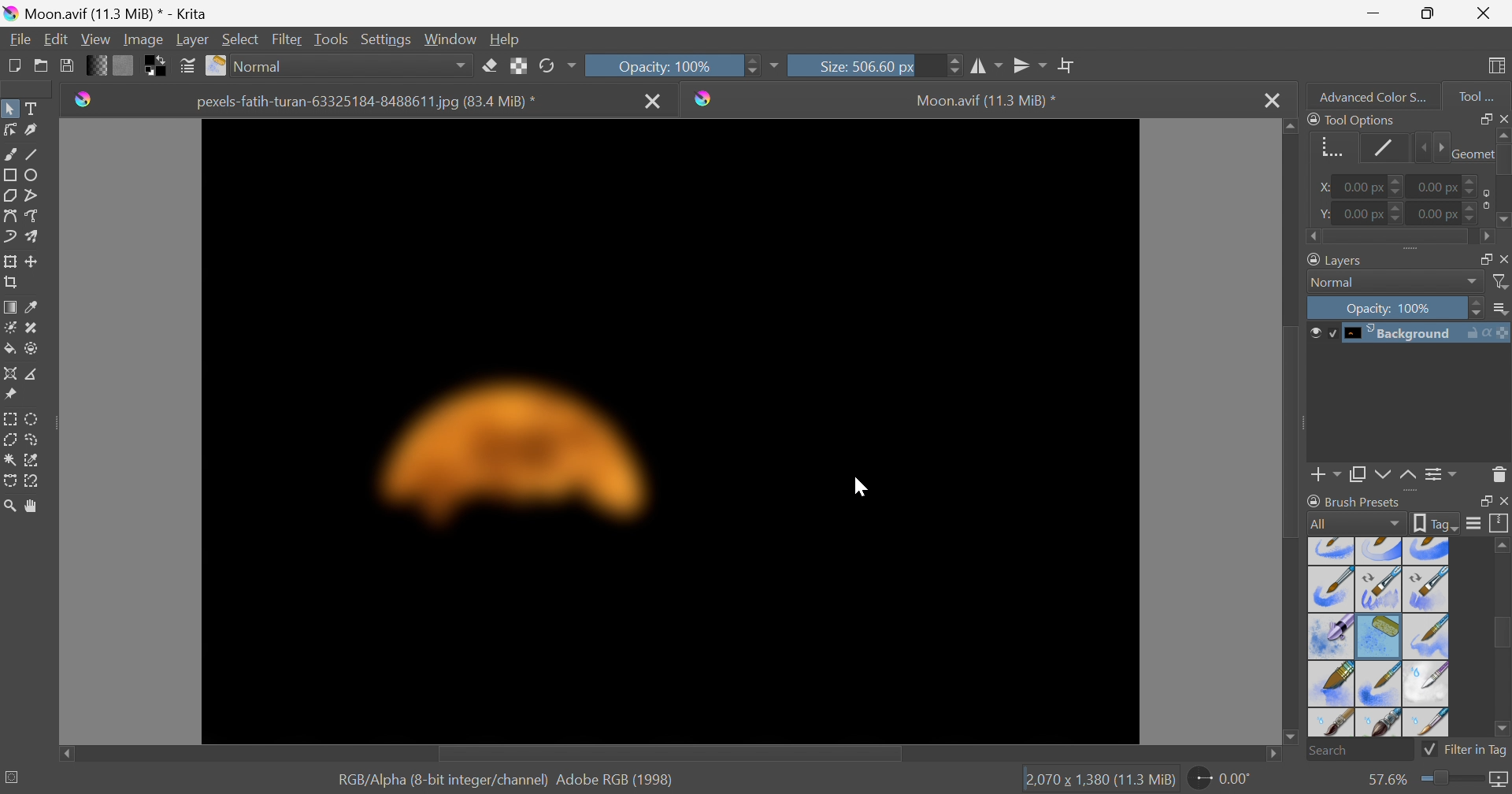  What do you see at coordinates (9, 328) in the screenshot?
I see `Colorize mask tool` at bounding box center [9, 328].